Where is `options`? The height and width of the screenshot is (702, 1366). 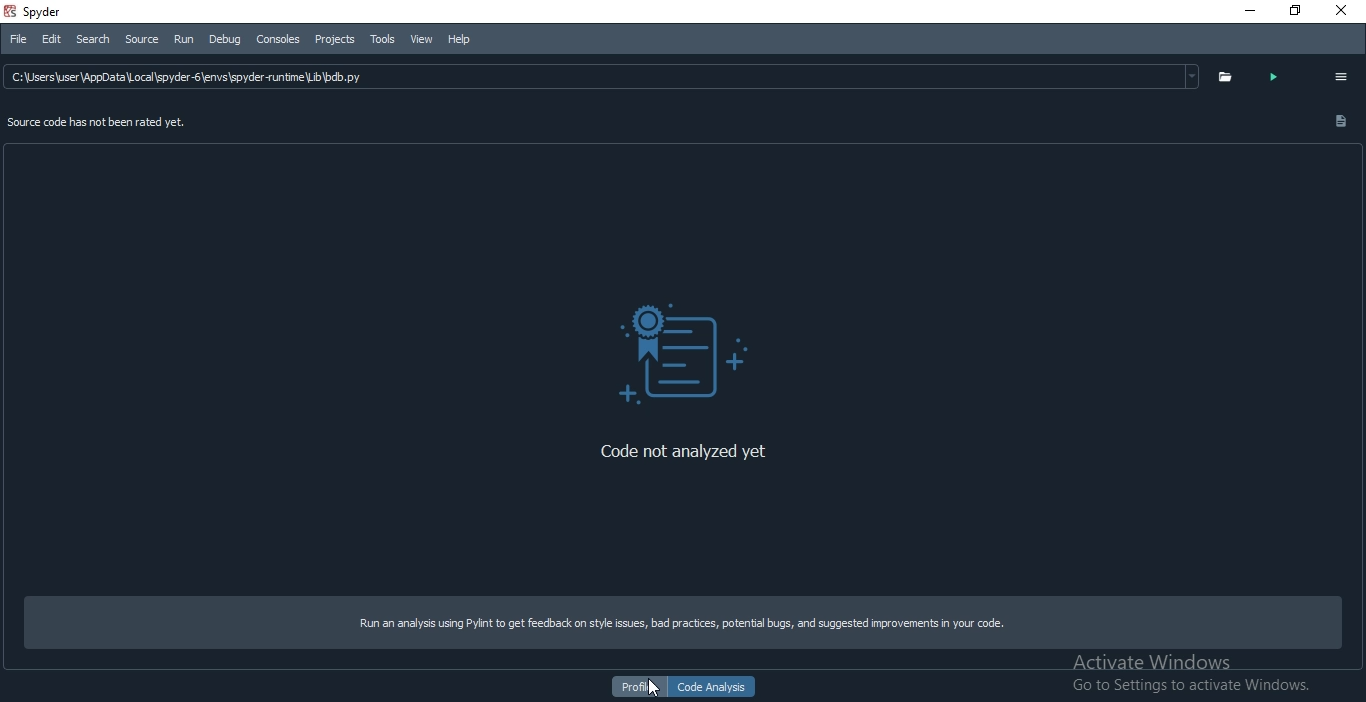 options is located at coordinates (1345, 74).